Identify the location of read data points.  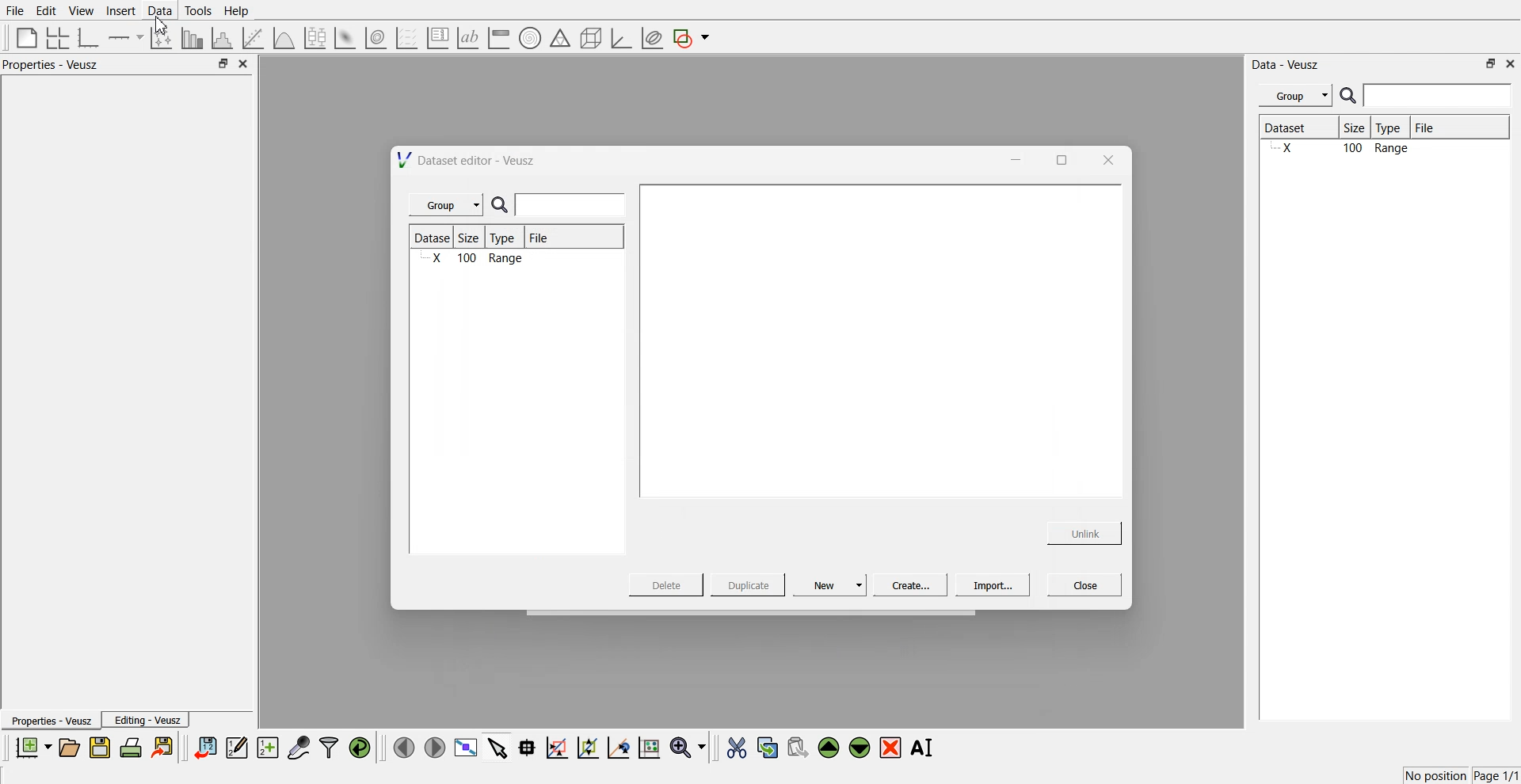
(527, 748).